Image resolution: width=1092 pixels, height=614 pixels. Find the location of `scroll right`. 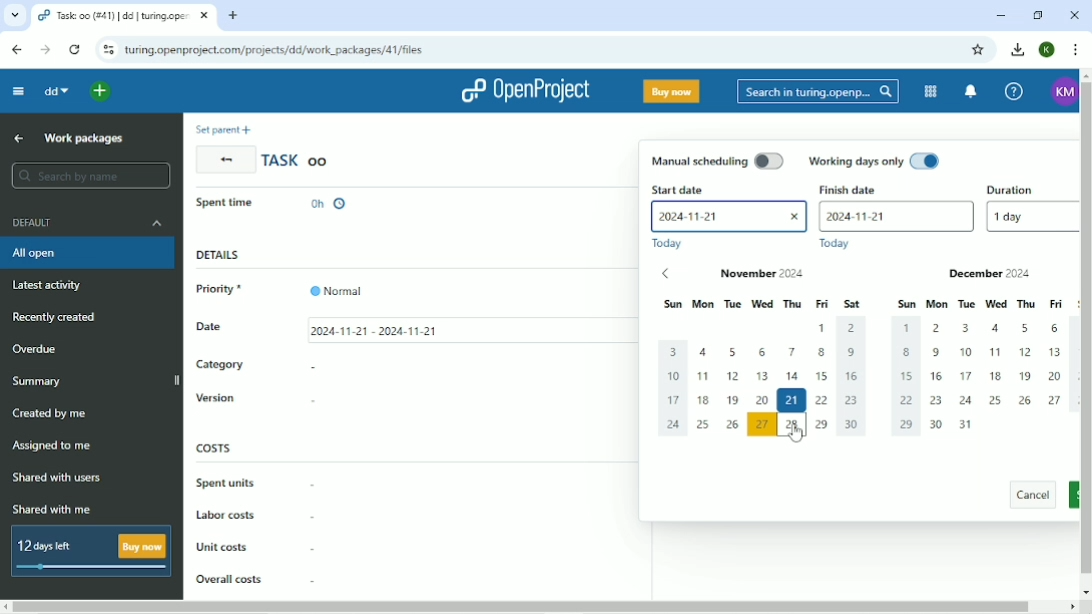

scroll right is located at coordinates (1069, 607).